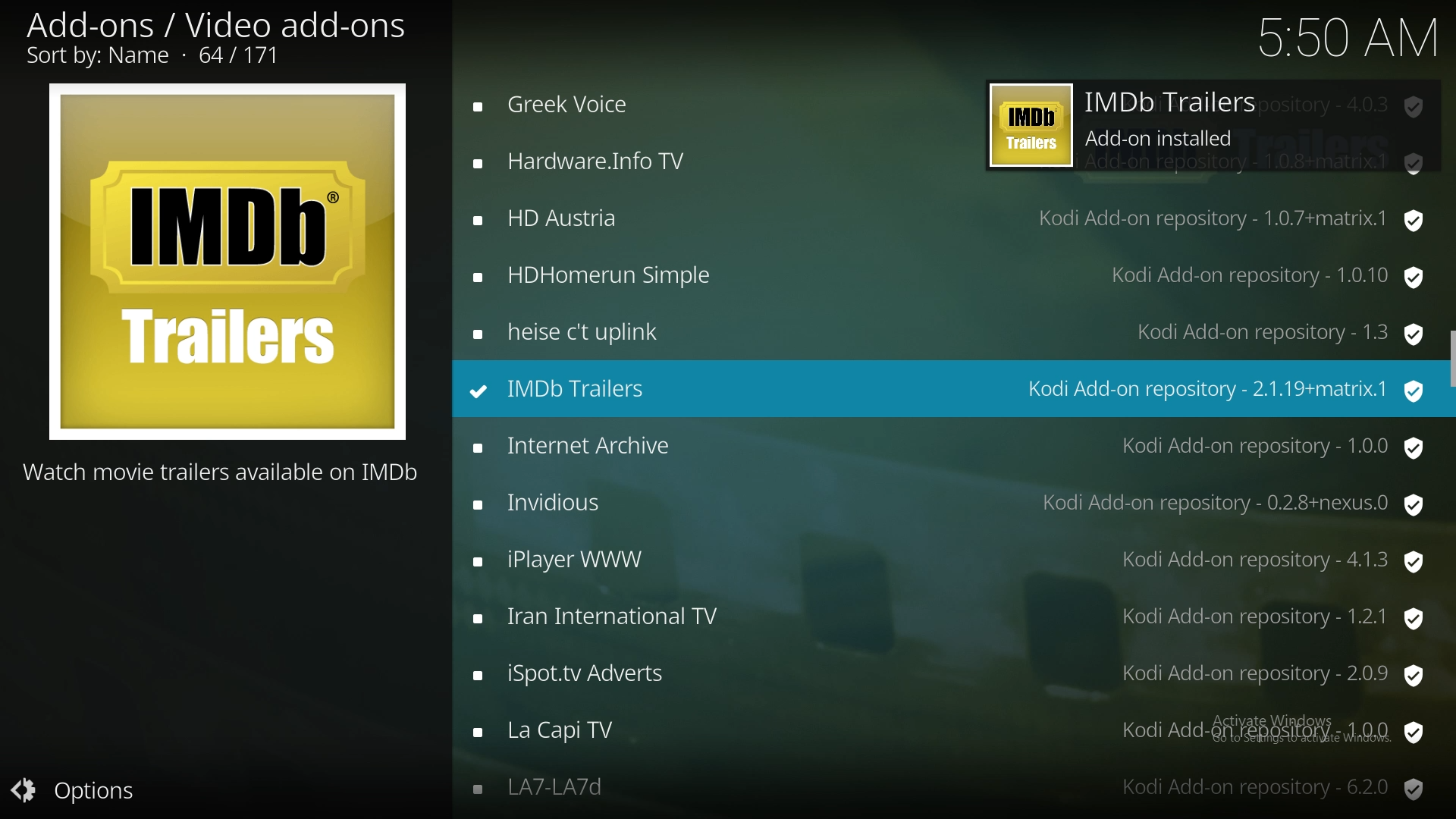 This screenshot has height=819, width=1456. What do you see at coordinates (954, 735) in the screenshot?
I see `add on` at bounding box center [954, 735].